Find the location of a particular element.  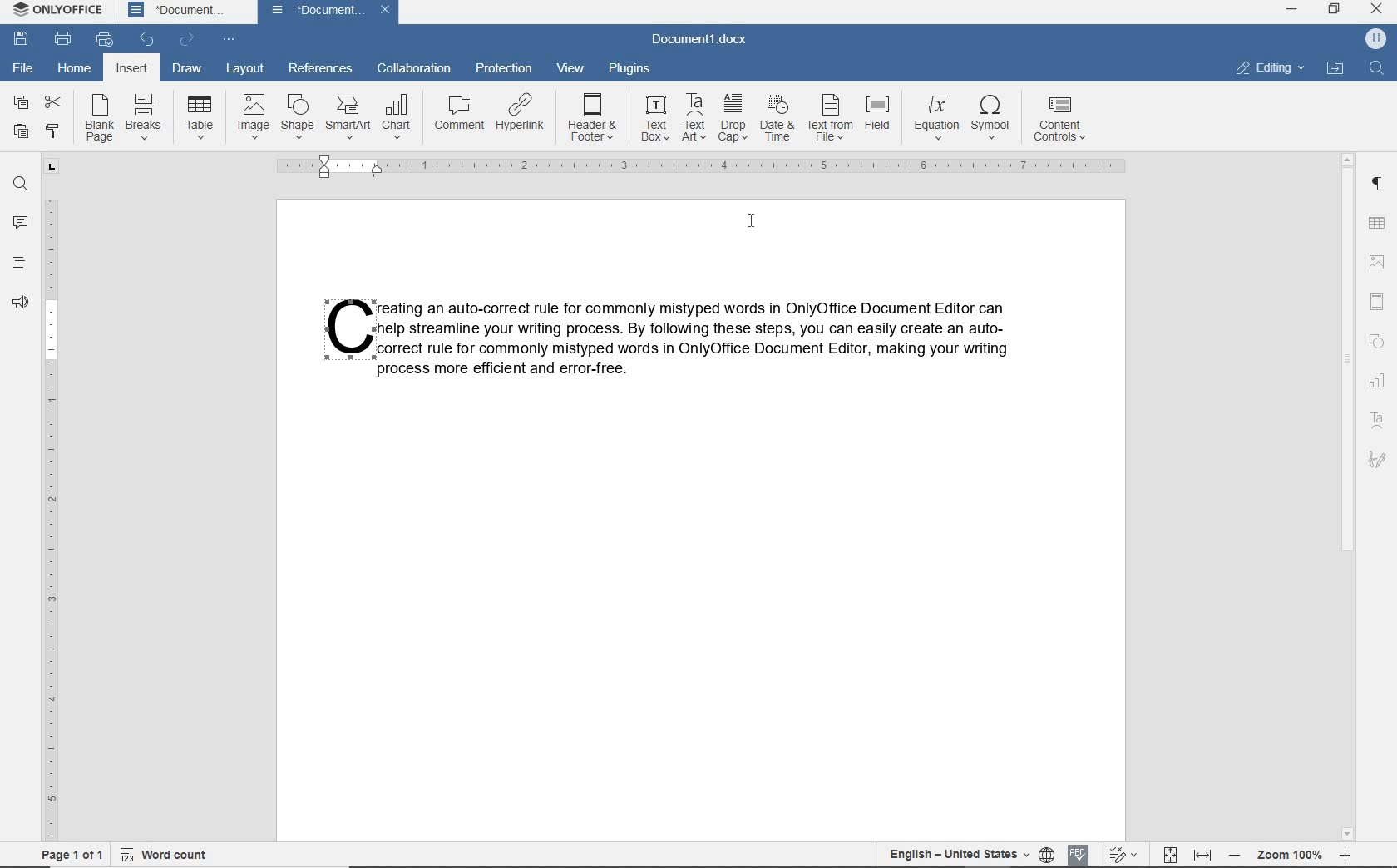

copy is located at coordinates (20, 104).